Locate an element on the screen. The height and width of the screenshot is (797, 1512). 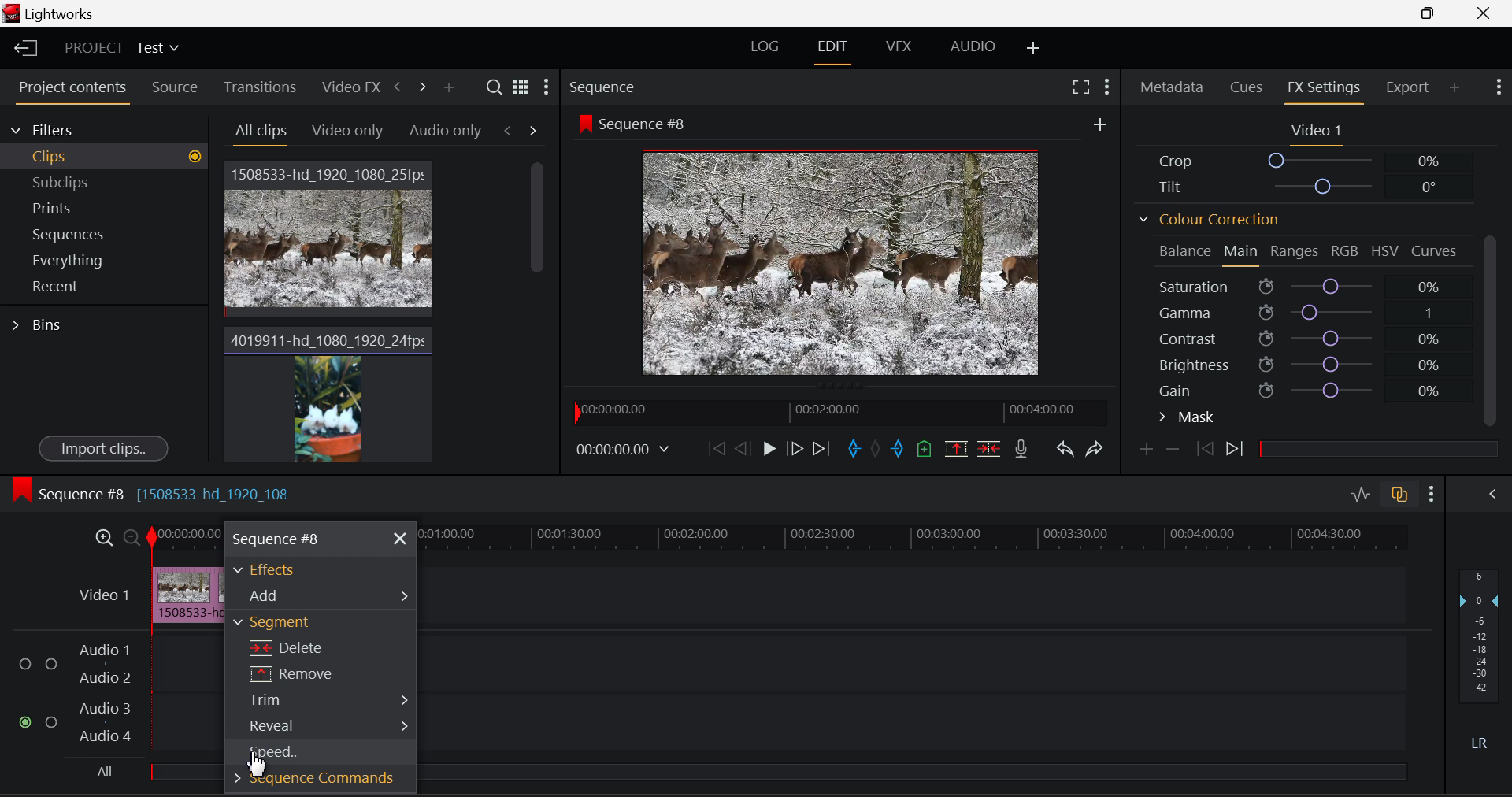
AUDIO is located at coordinates (972, 47).